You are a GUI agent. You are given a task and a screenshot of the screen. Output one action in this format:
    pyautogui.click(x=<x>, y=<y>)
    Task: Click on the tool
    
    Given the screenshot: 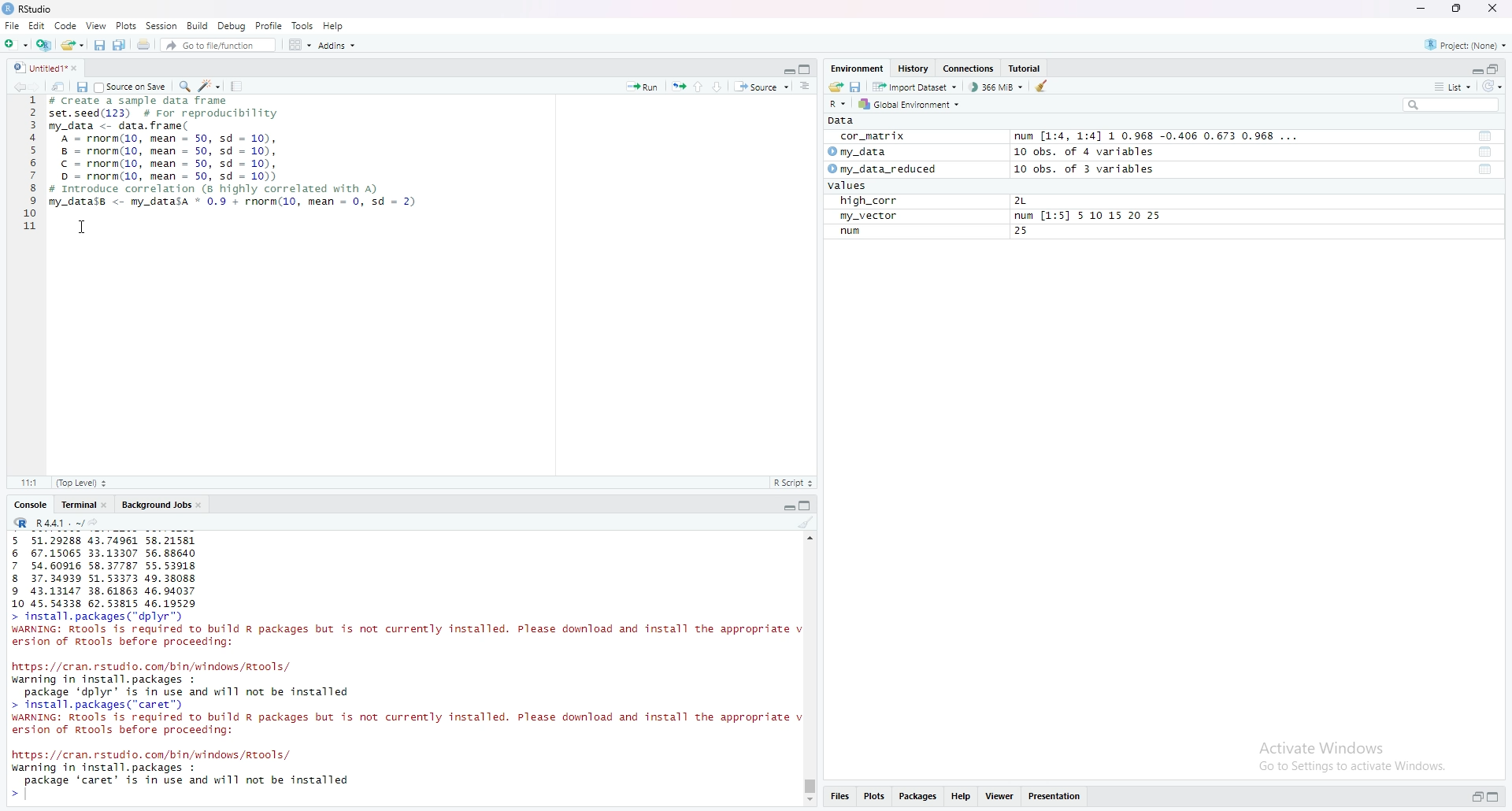 What is the action you would take?
    pyautogui.click(x=1486, y=152)
    